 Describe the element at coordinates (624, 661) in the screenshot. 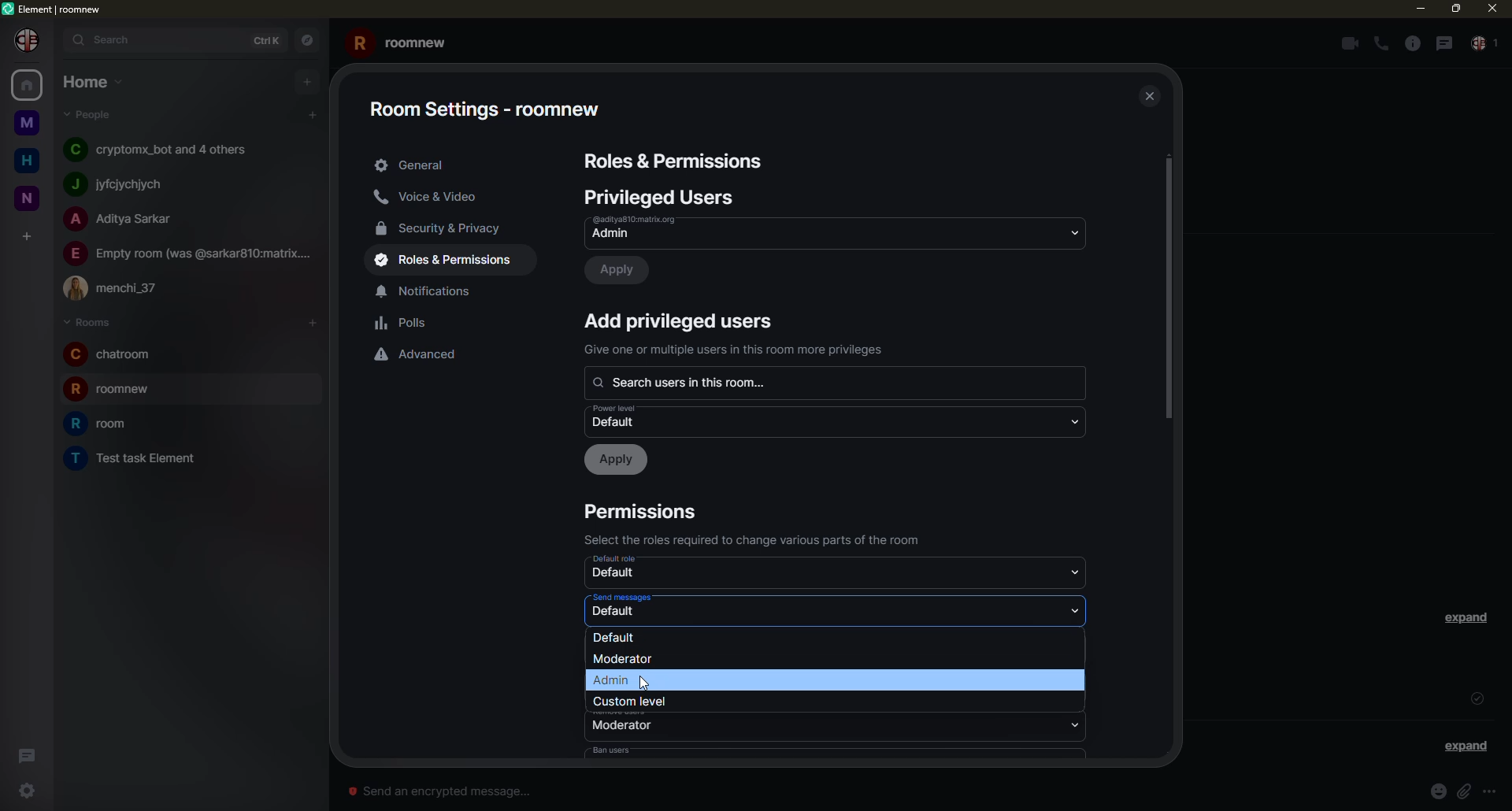

I see `moderator` at that location.